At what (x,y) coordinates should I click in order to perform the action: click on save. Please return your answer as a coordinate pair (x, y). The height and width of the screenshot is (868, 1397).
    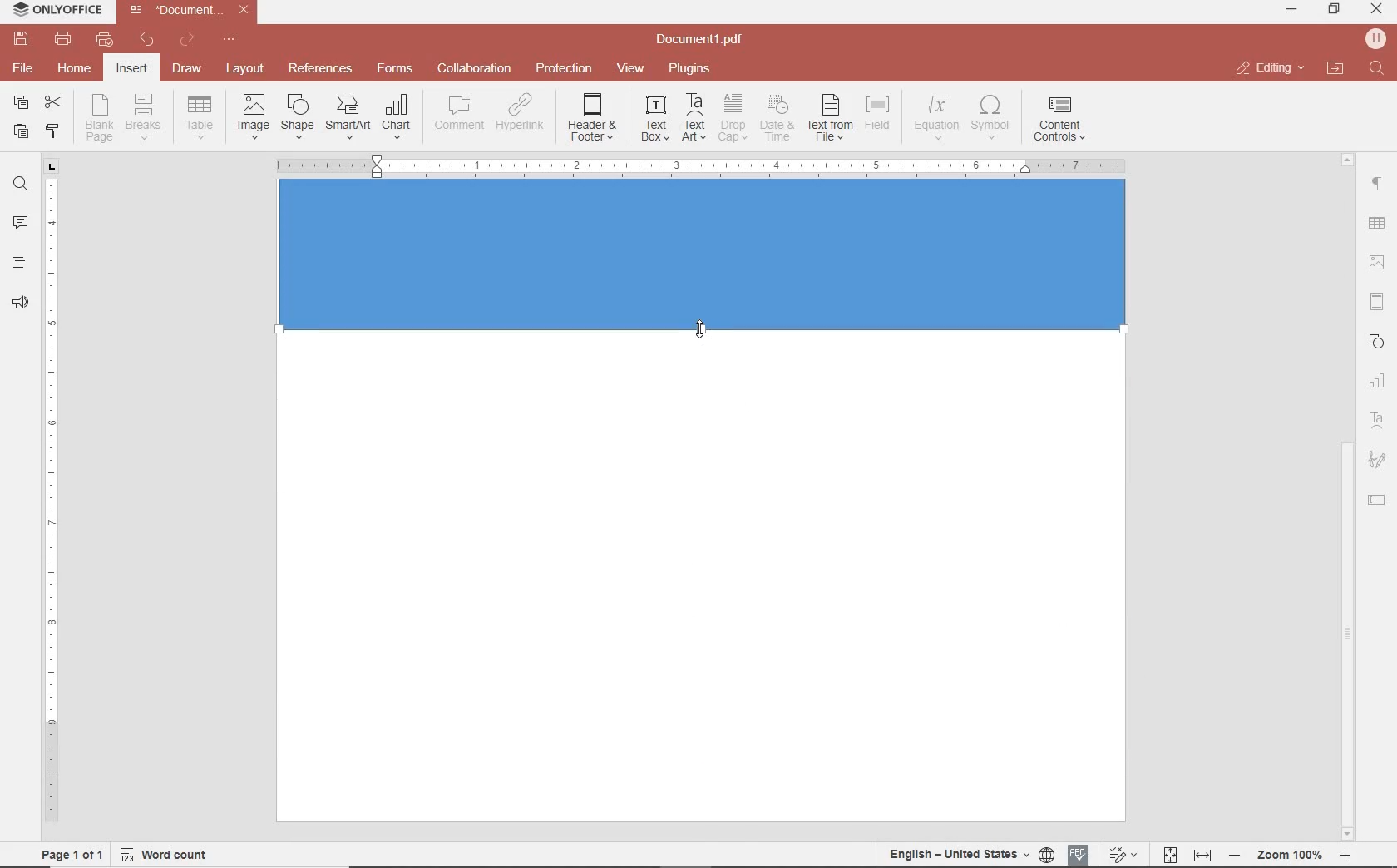
    Looking at the image, I should click on (19, 39).